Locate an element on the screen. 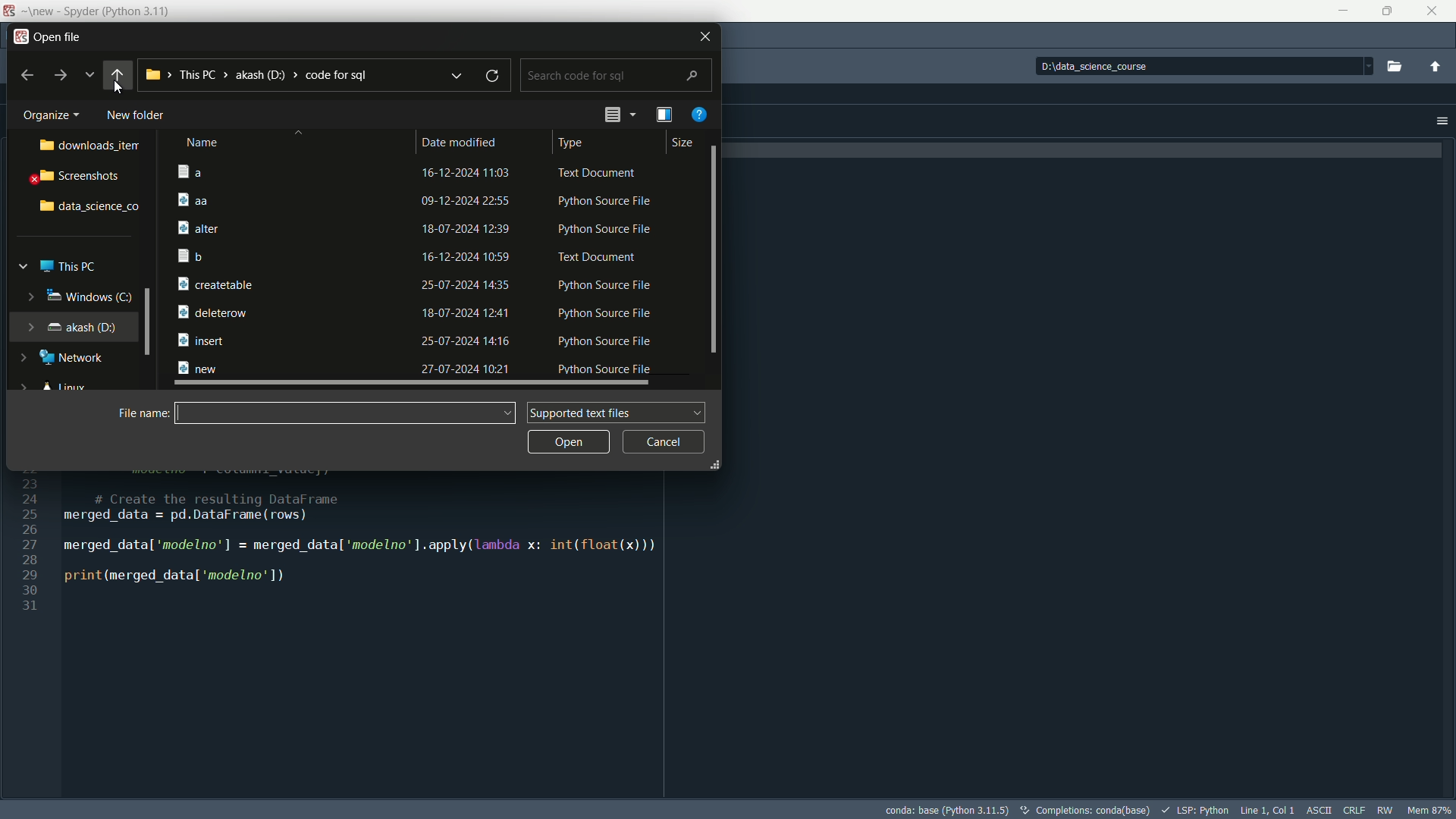 This screenshot has height=819, width=1456. b is located at coordinates (182, 255).